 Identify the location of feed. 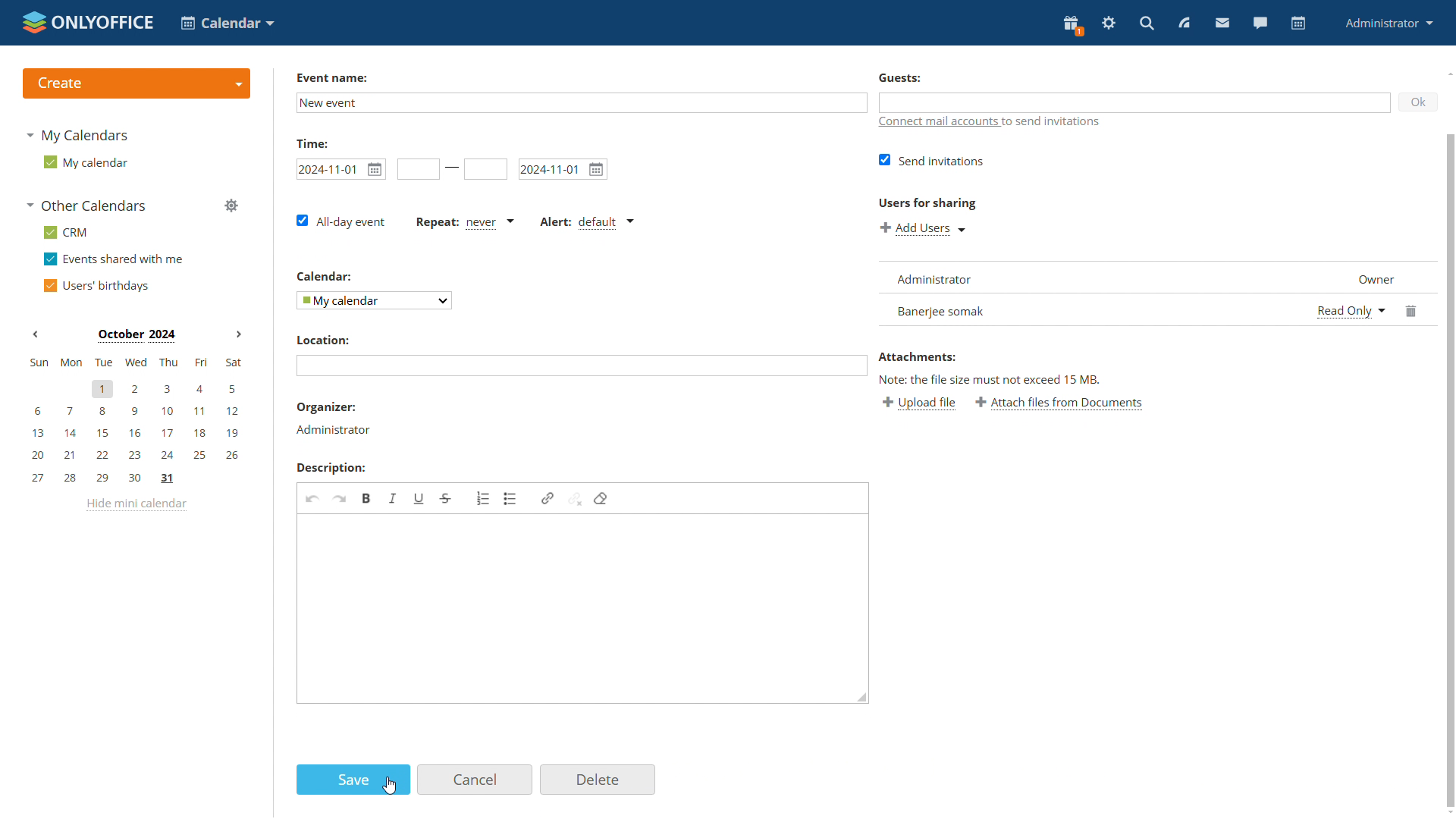
(1185, 24).